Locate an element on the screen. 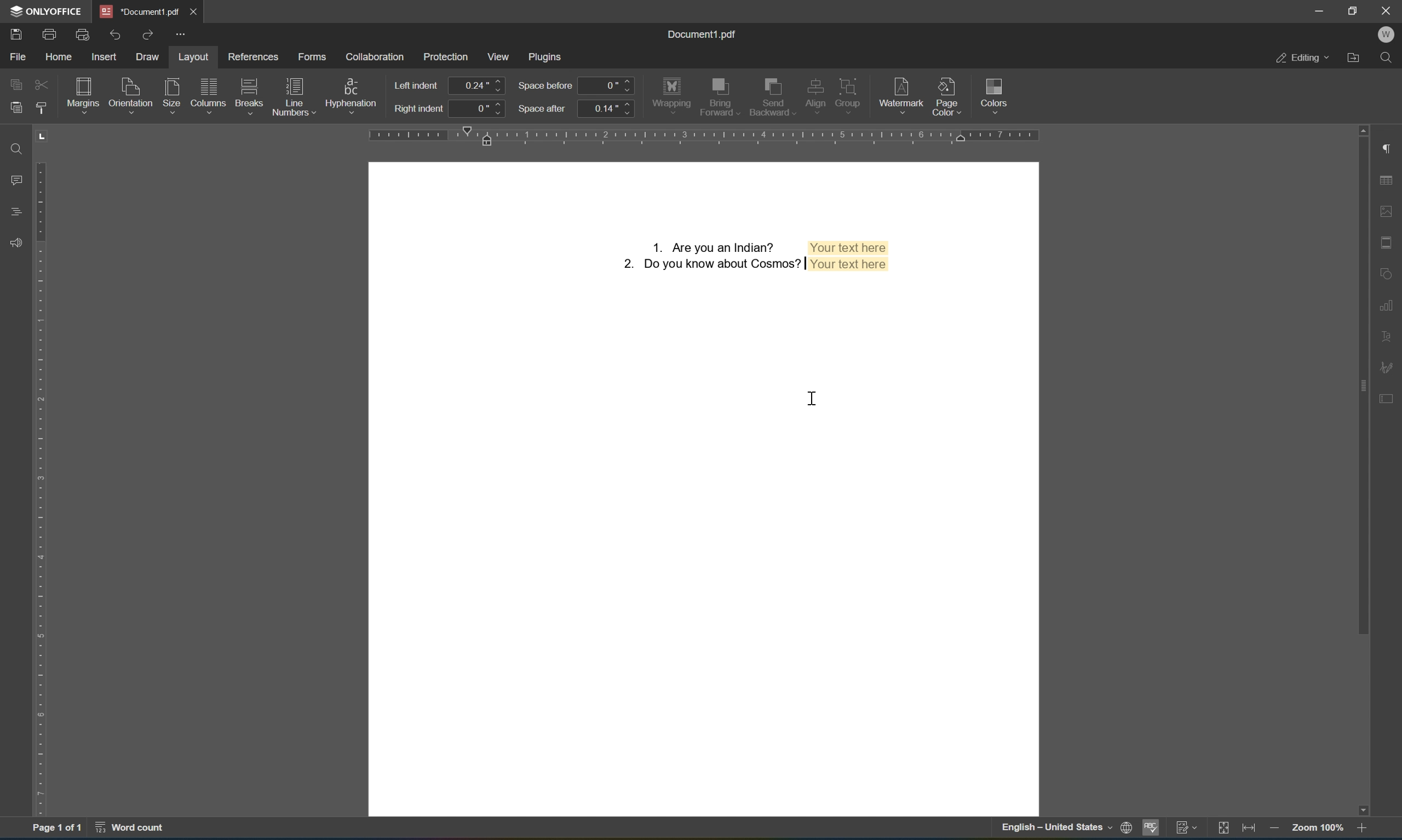  home is located at coordinates (60, 57).